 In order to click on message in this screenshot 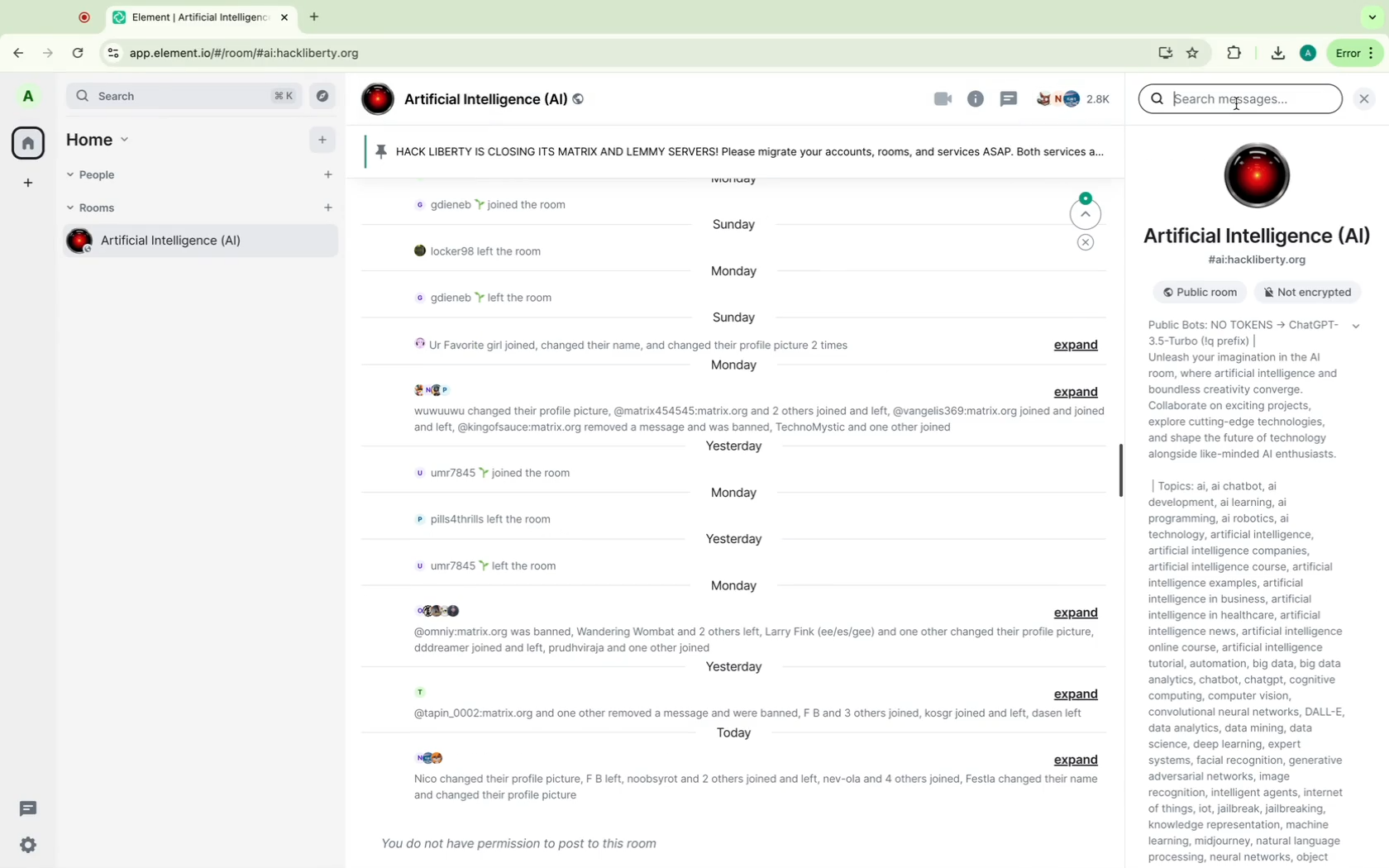, I will do `click(491, 522)`.